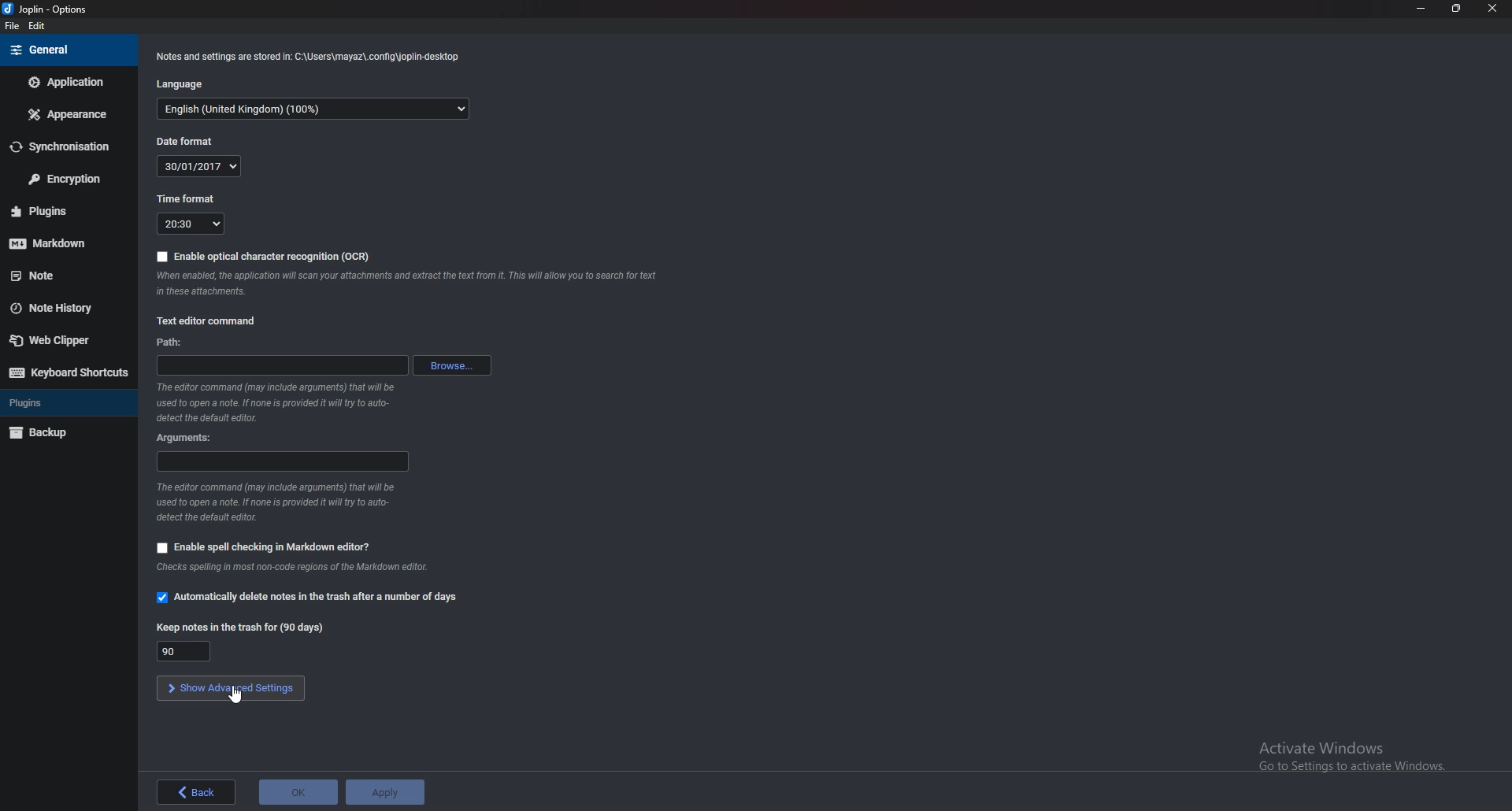  What do you see at coordinates (280, 402) in the screenshot?
I see `Info` at bounding box center [280, 402].